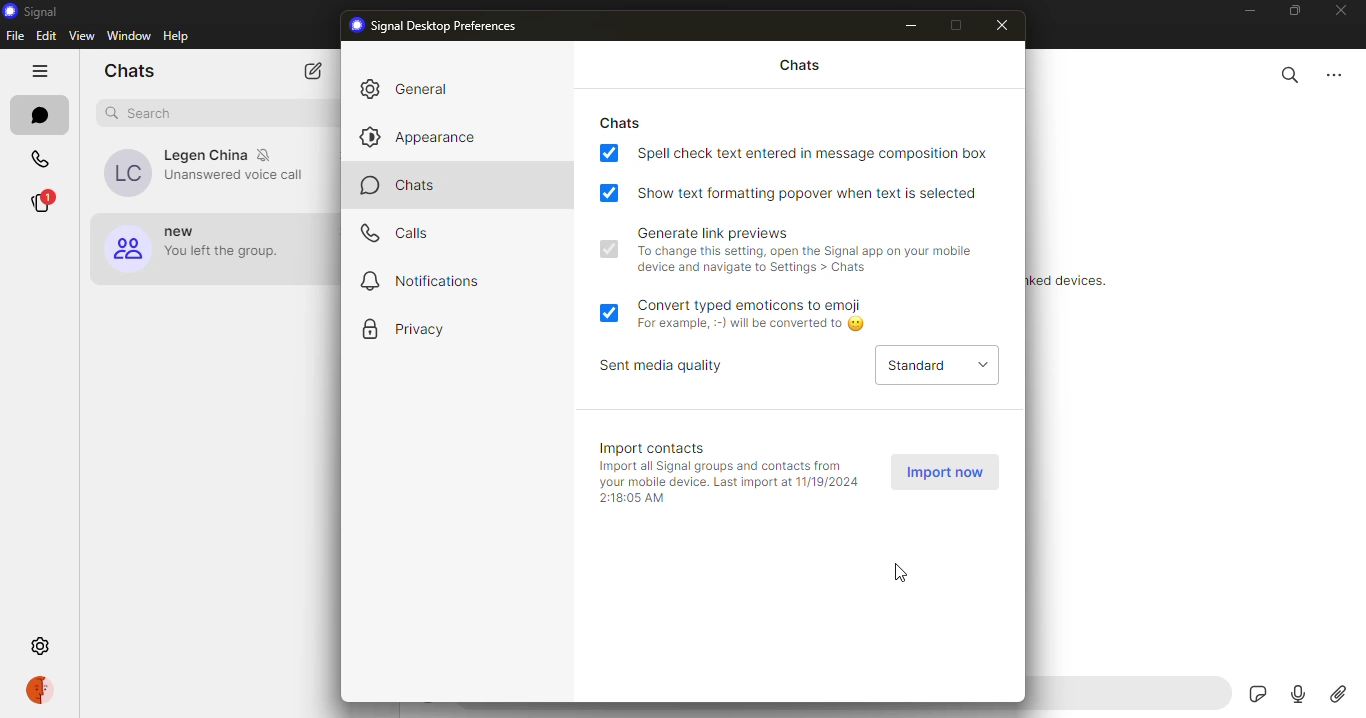 Image resolution: width=1366 pixels, height=718 pixels. What do you see at coordinates (668, 366) in the screenshot?
I see `sent media quality` at bounding box center [668, 366].